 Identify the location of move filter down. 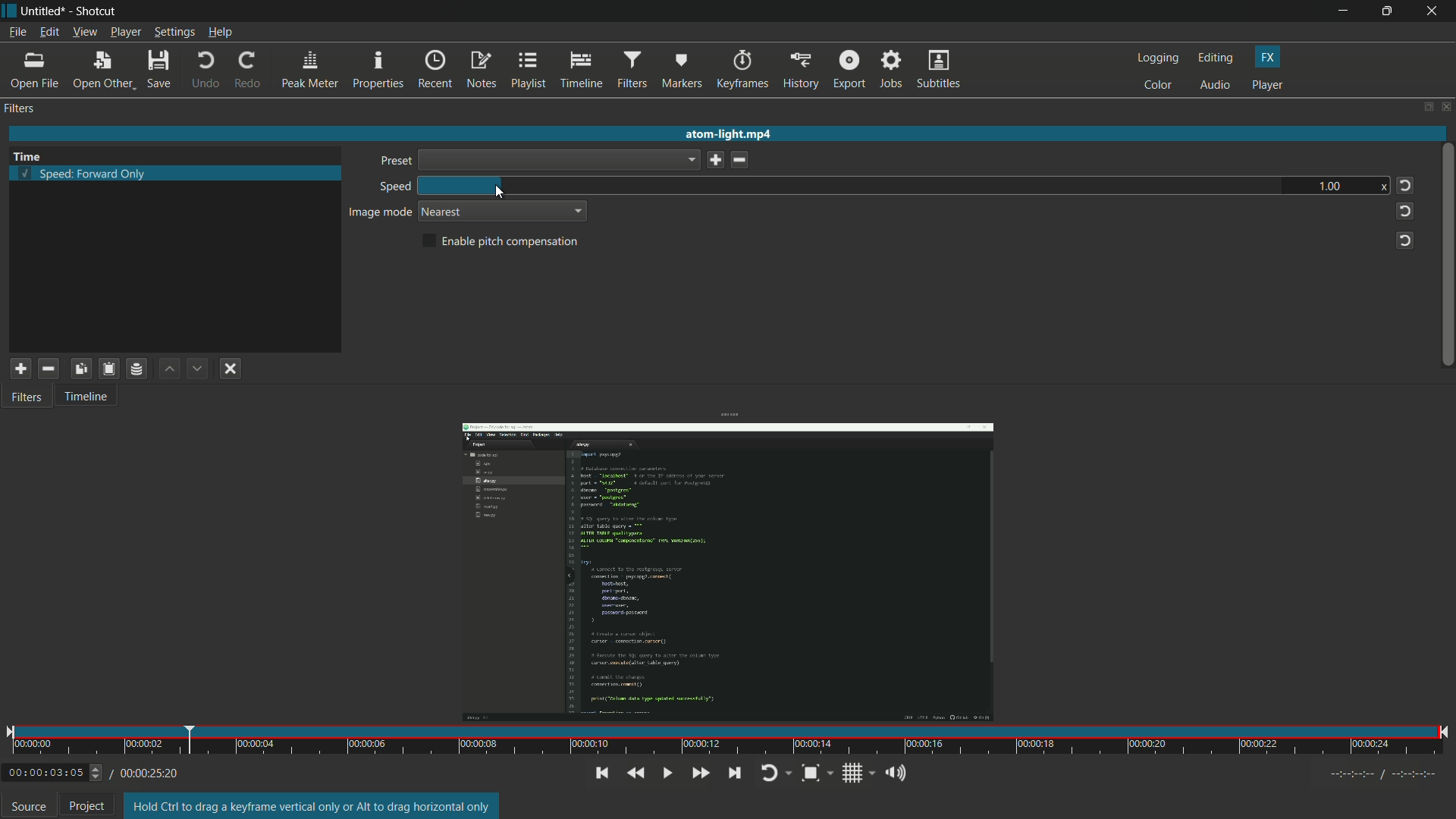
(198, 369).